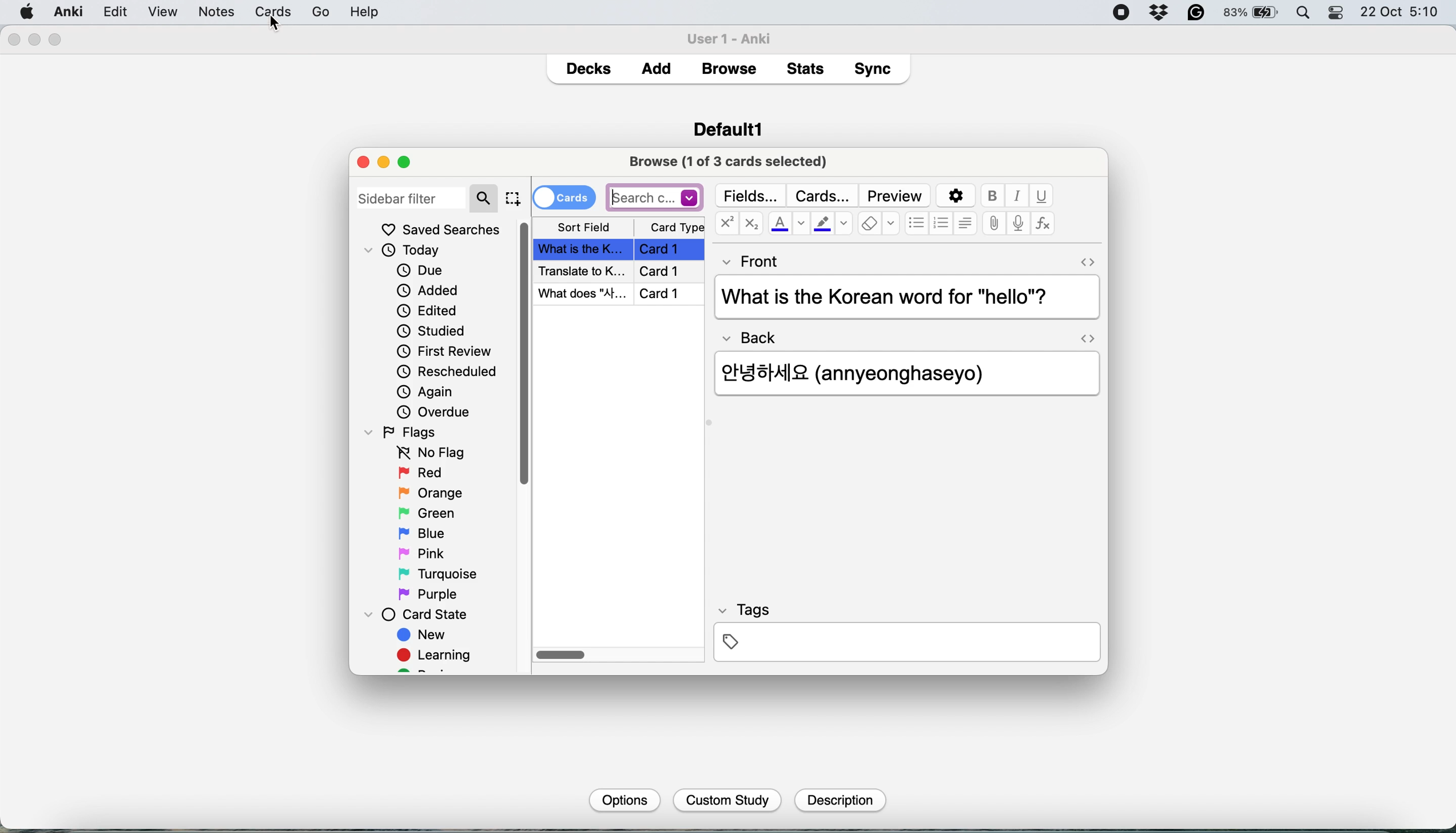  What do you see at coordinates (441, 229) in the screenshot?
I see `saved searches` at bounding box center [441, 229].